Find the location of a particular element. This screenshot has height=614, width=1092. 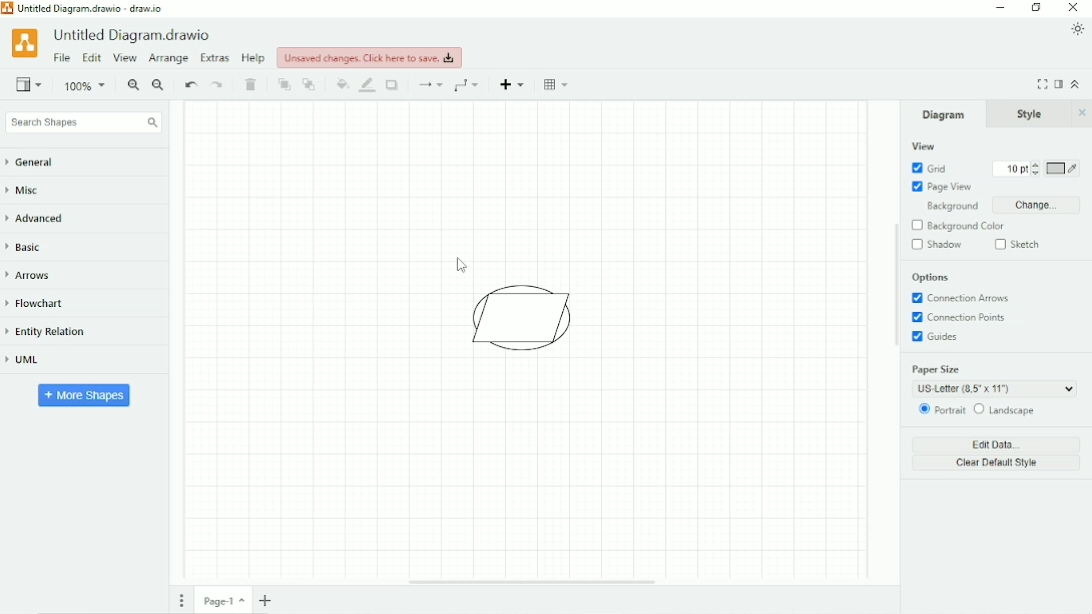

Fill color is located at coordinates (342, 84).